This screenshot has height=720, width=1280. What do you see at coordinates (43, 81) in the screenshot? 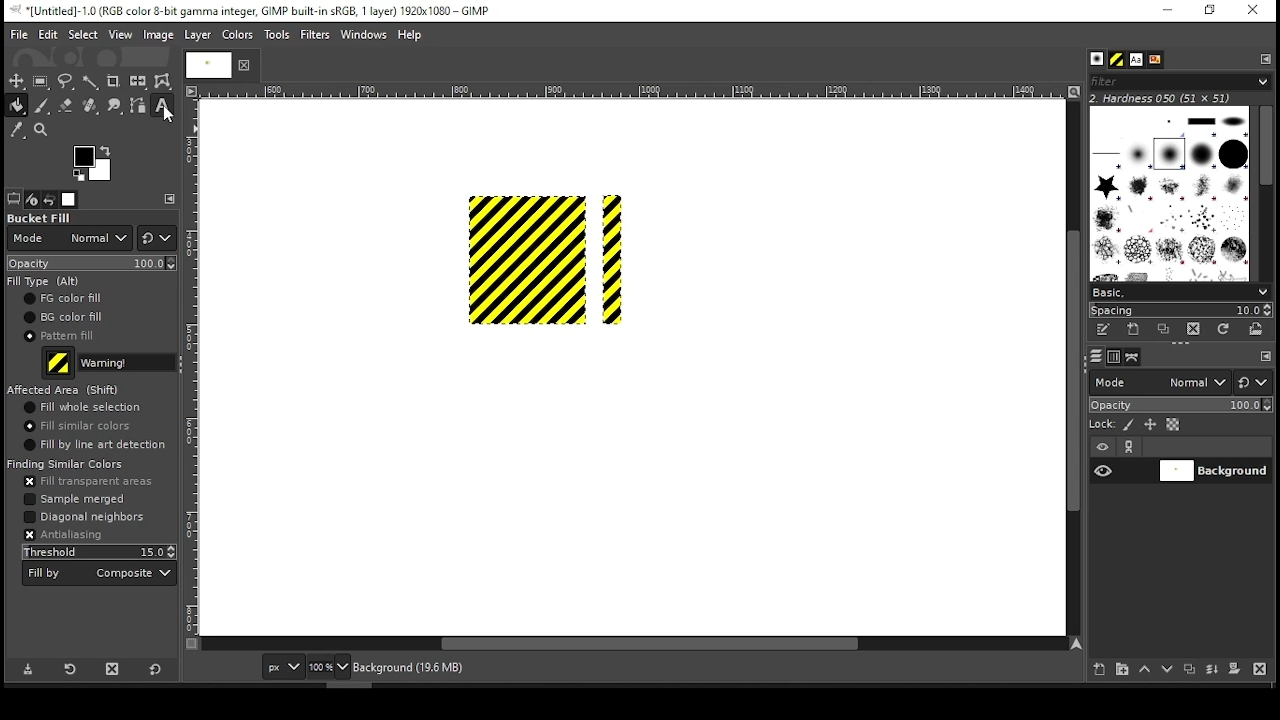
I see `rectangular selection tool` at bounding box center [43, 81].